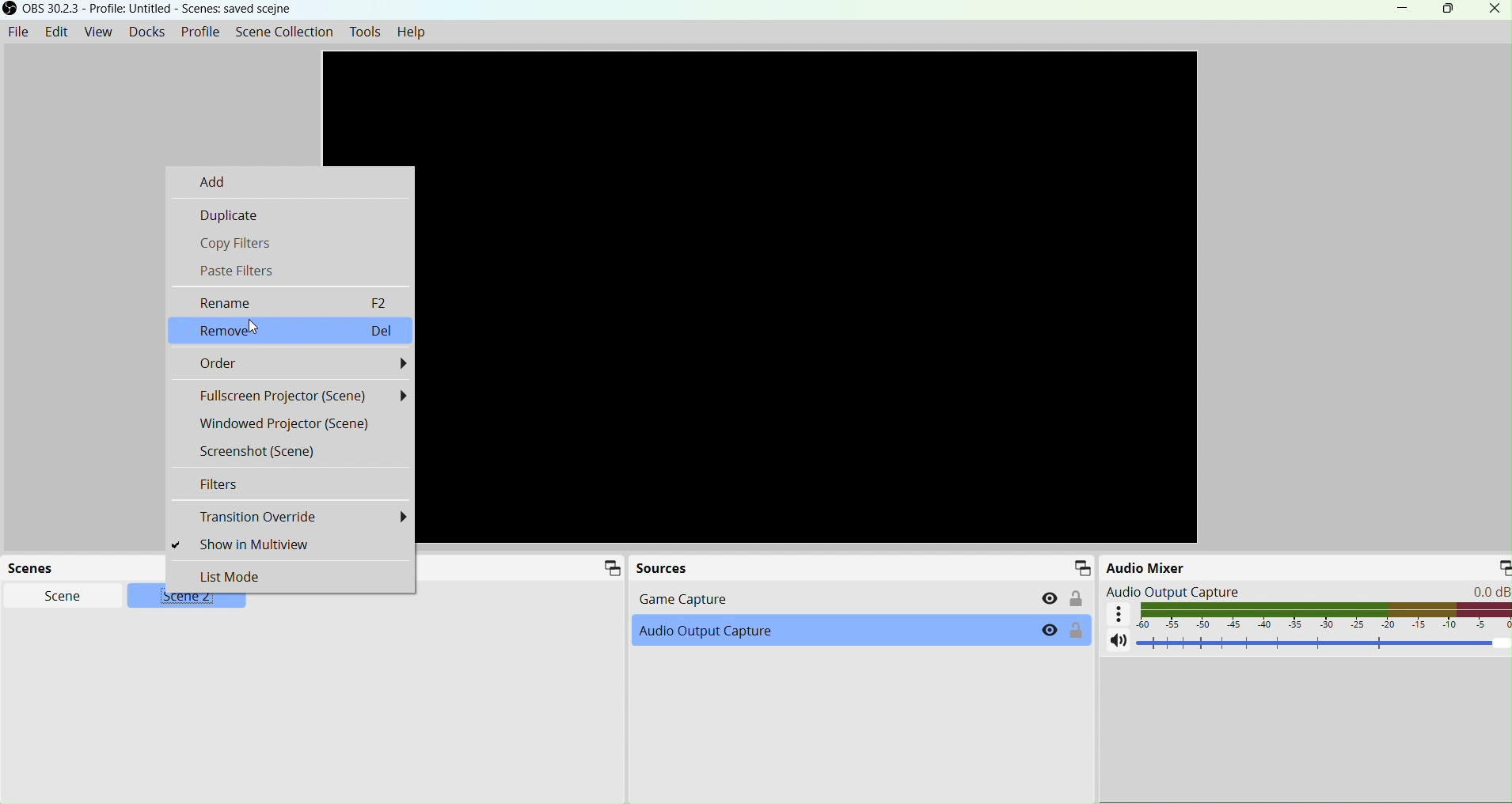 The width and height of the screenshot is (1512, 804). What do you see at coordinates (1320, 646) in the screenshot?
I see `Volume Adjuster` at bounding box center [1320, 646].